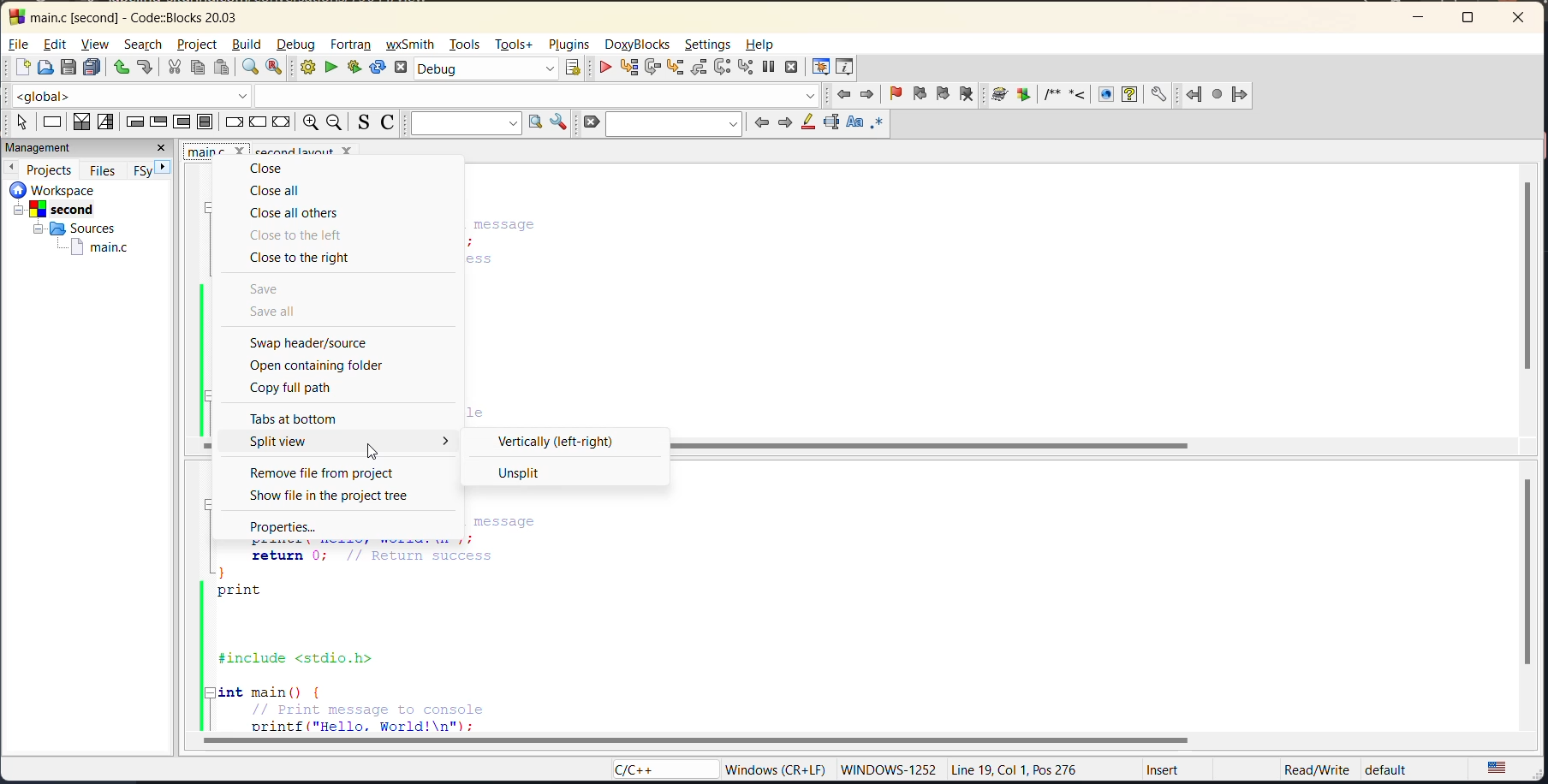  I want to click on vertical scroll bar, so click(1525, 275).